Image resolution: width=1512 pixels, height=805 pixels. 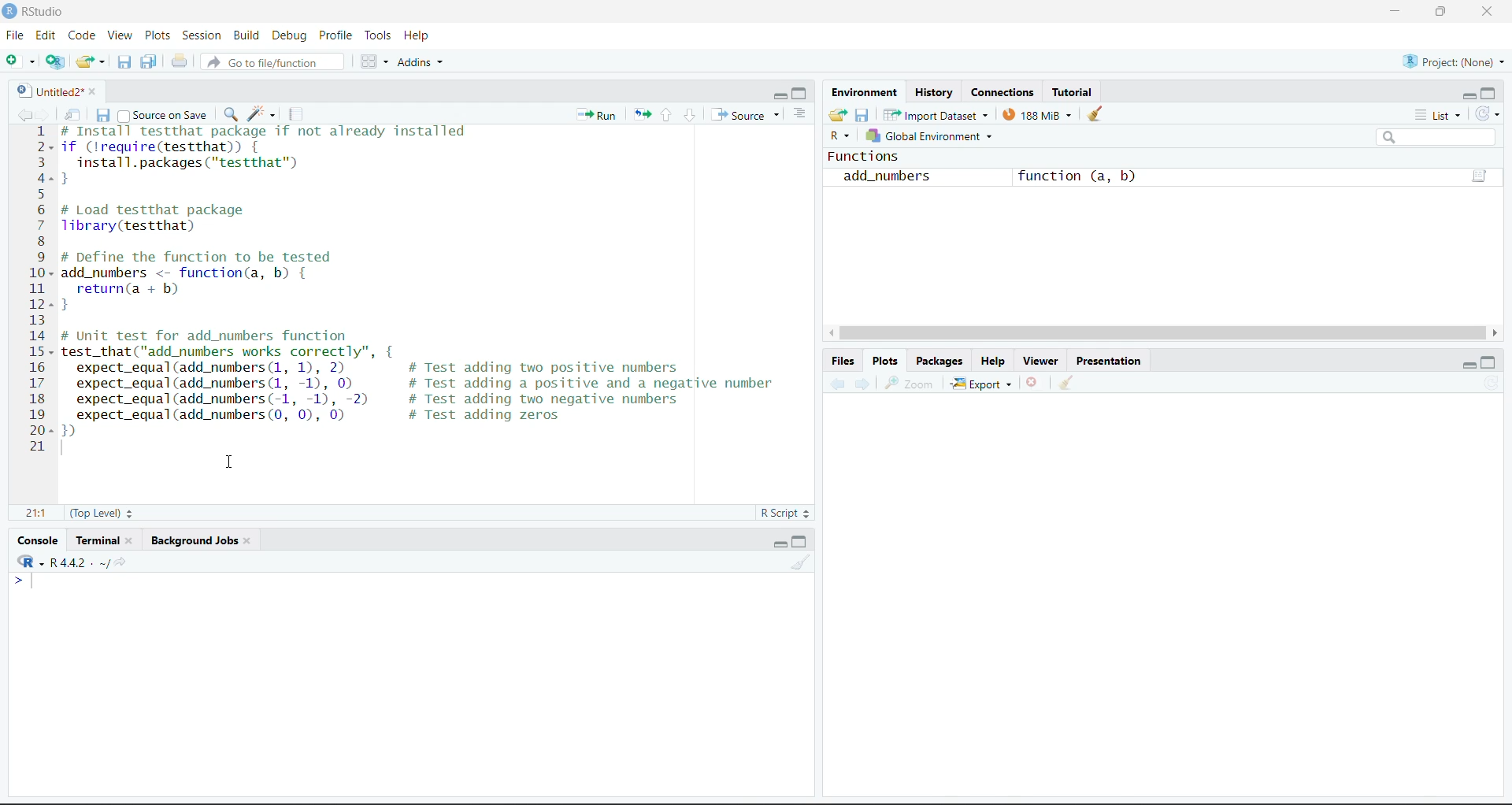 What do you see at coordinates (1480, 176) in the screenshot?
I see `function(a,b)` at bounding box center [1480, 176].